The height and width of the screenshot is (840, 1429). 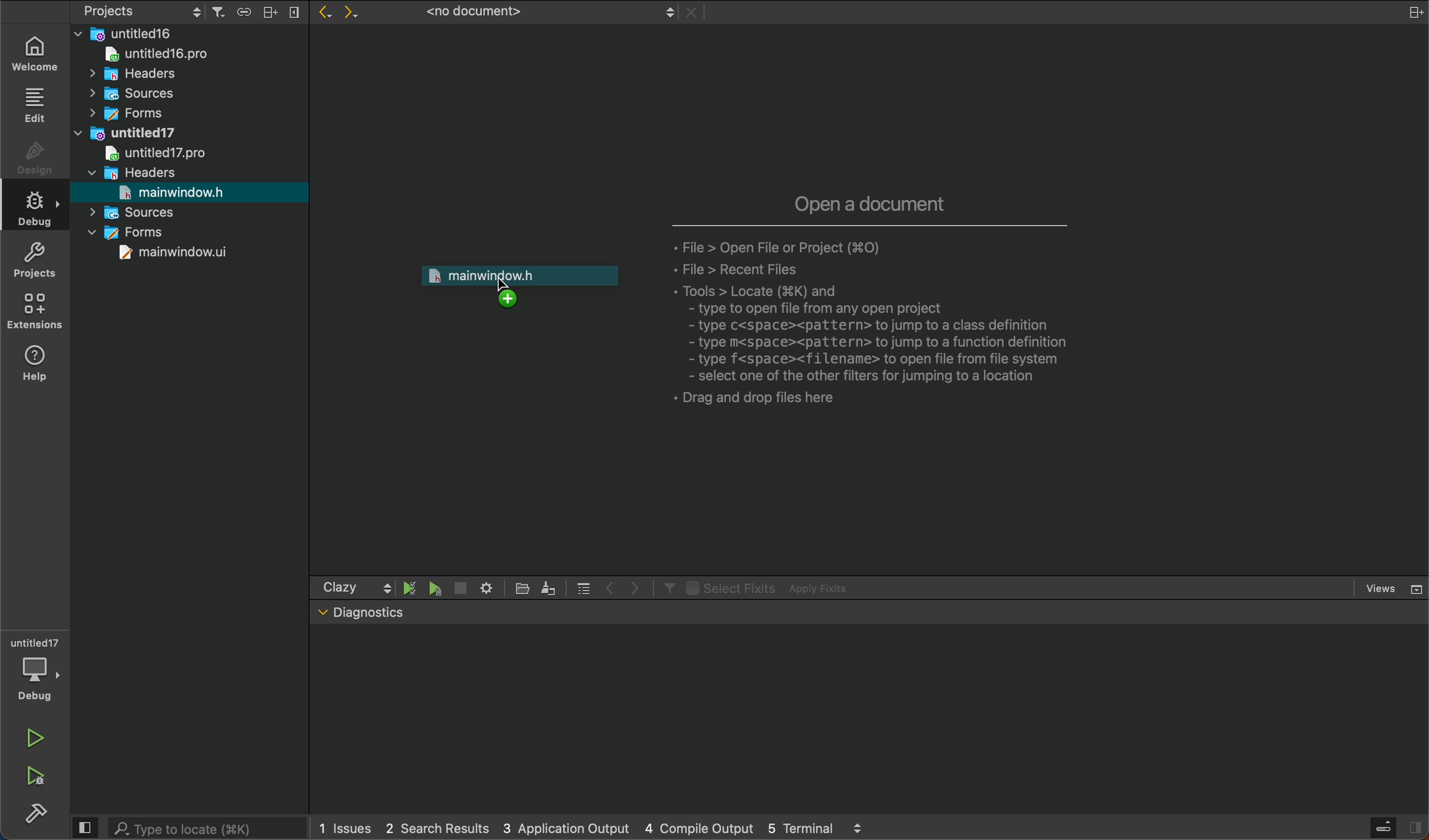 What do you see at coordinates (869, 719) in the screenshot?
I see `terminal` at bounding box center [869, 719].